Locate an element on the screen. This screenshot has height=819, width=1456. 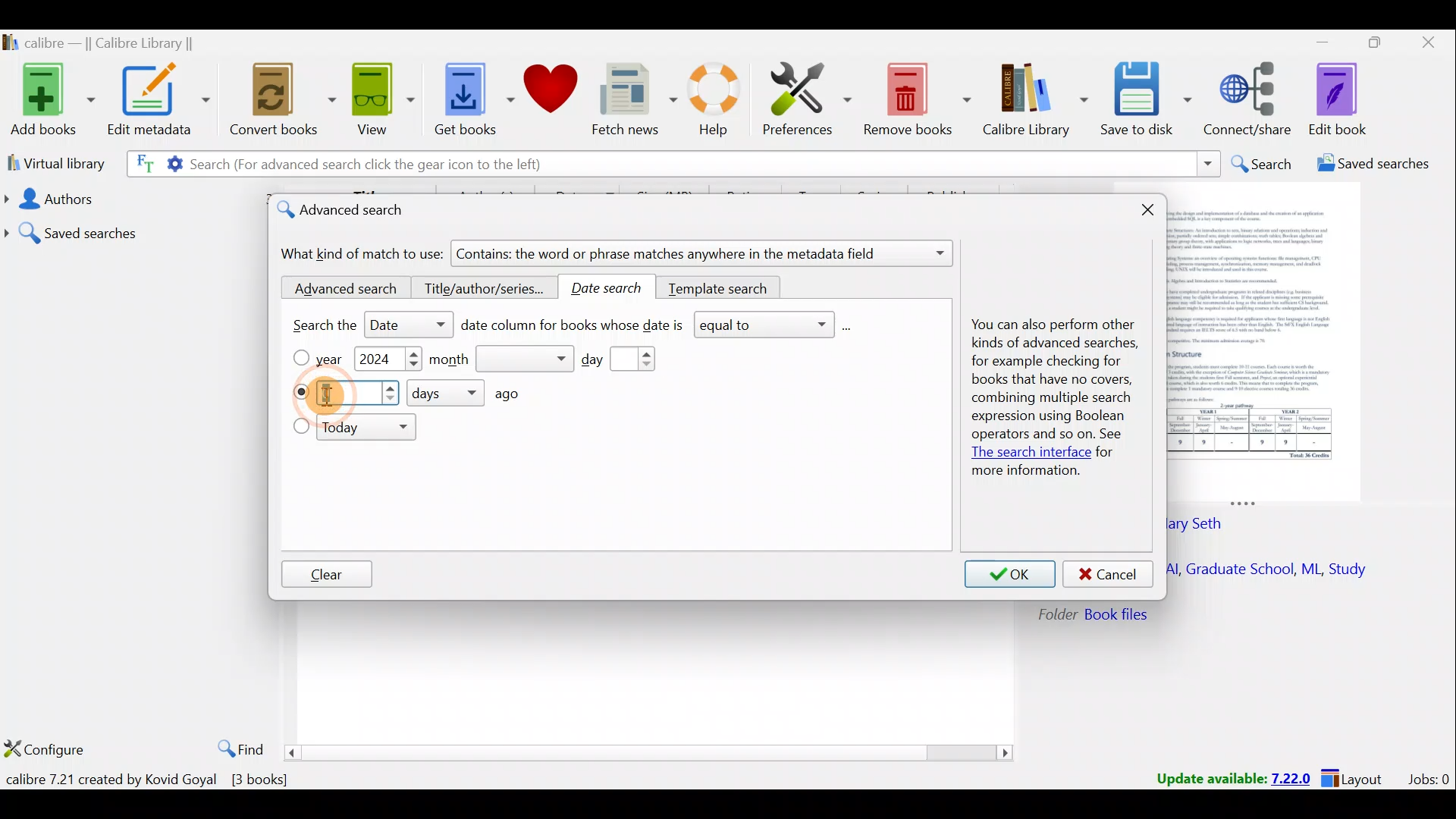
View is located at coordinates (379, 101).